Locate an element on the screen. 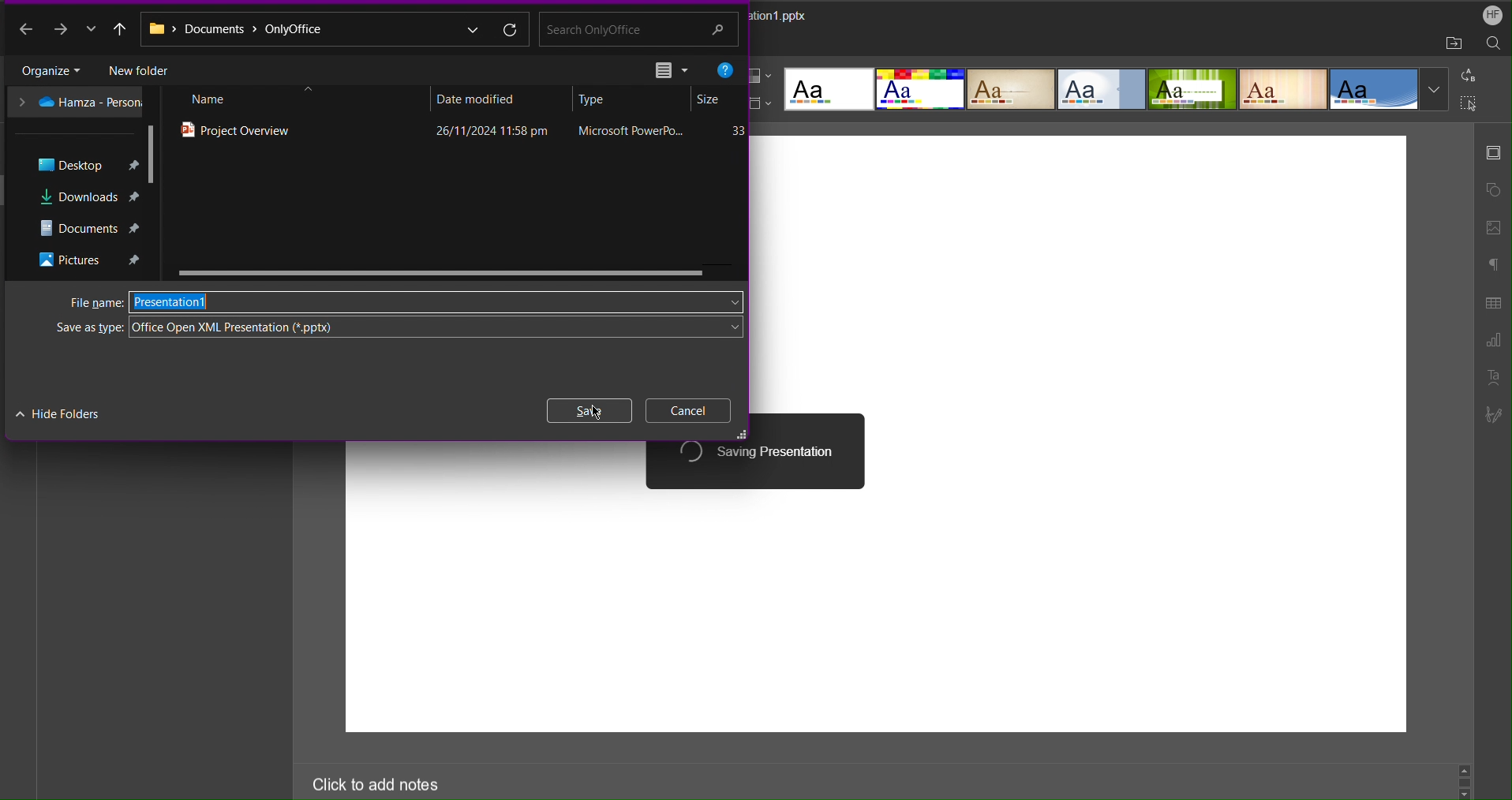  Signature is located at coordinates (1493, 417).